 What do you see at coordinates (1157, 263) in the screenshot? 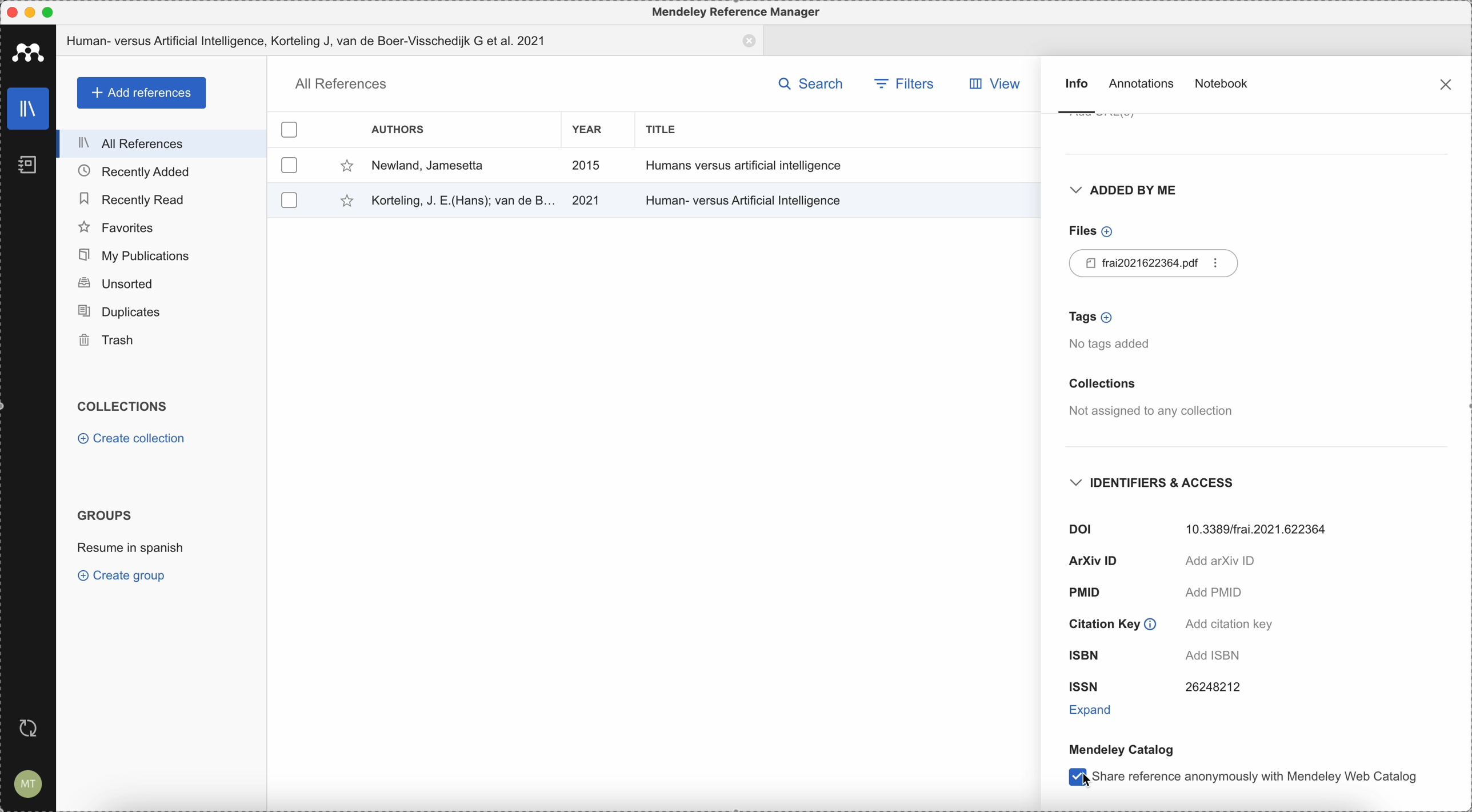
I see `pdf file` at bounding box center [1157, 263].